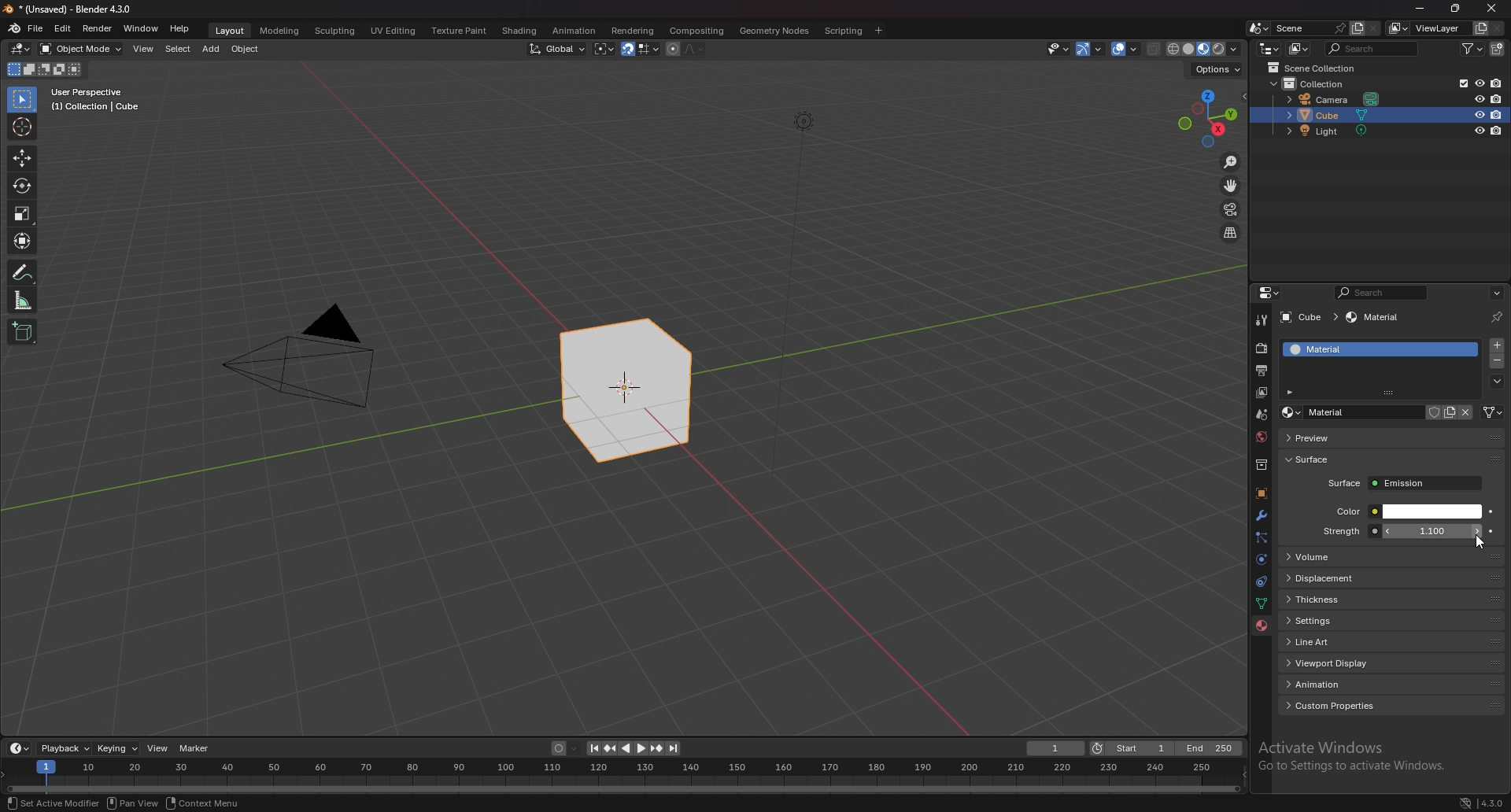  I want to click on gizmo, so click(1093, 48).